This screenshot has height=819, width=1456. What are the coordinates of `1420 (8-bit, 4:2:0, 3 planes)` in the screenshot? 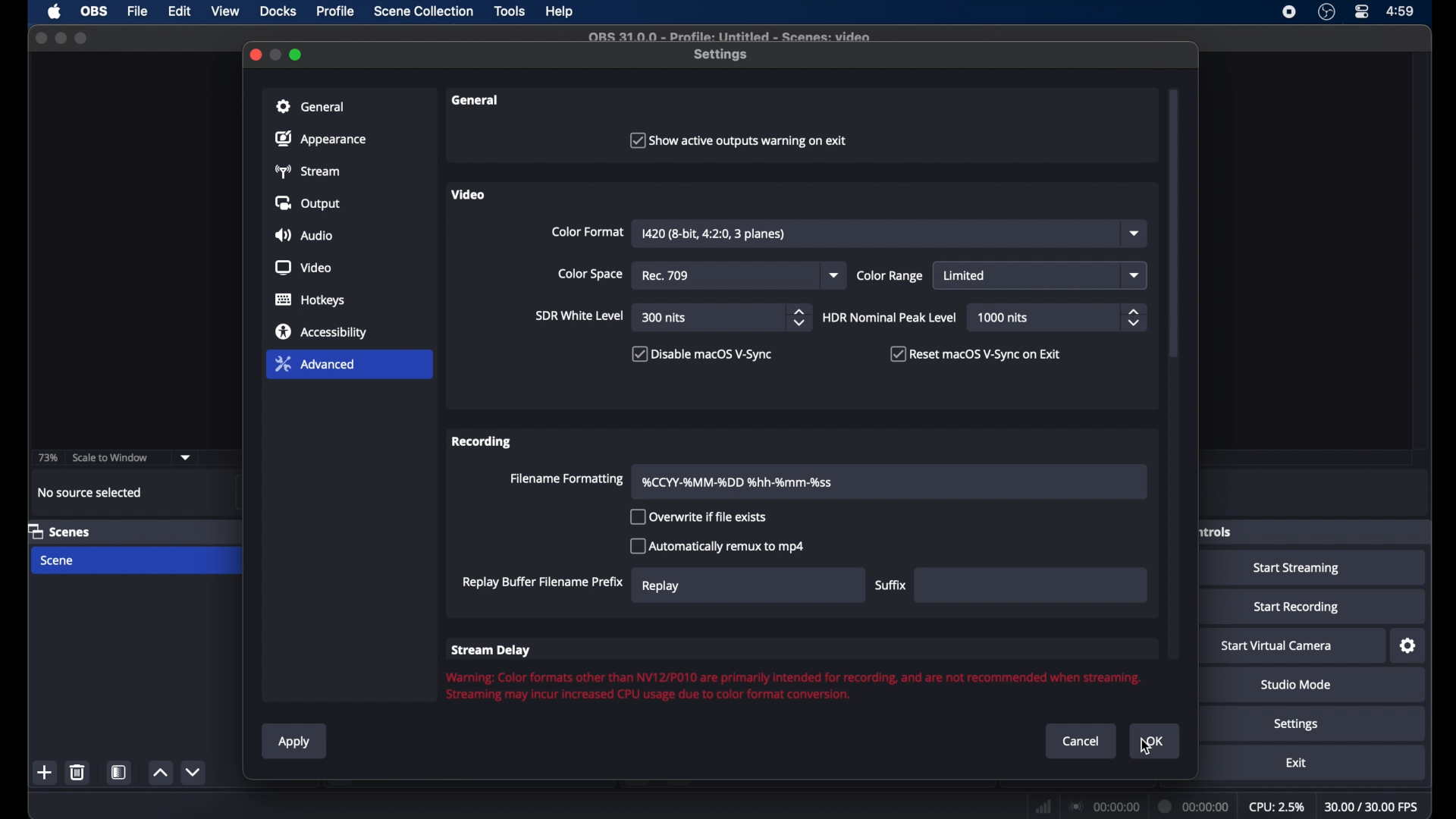 It's located at (717, 234).